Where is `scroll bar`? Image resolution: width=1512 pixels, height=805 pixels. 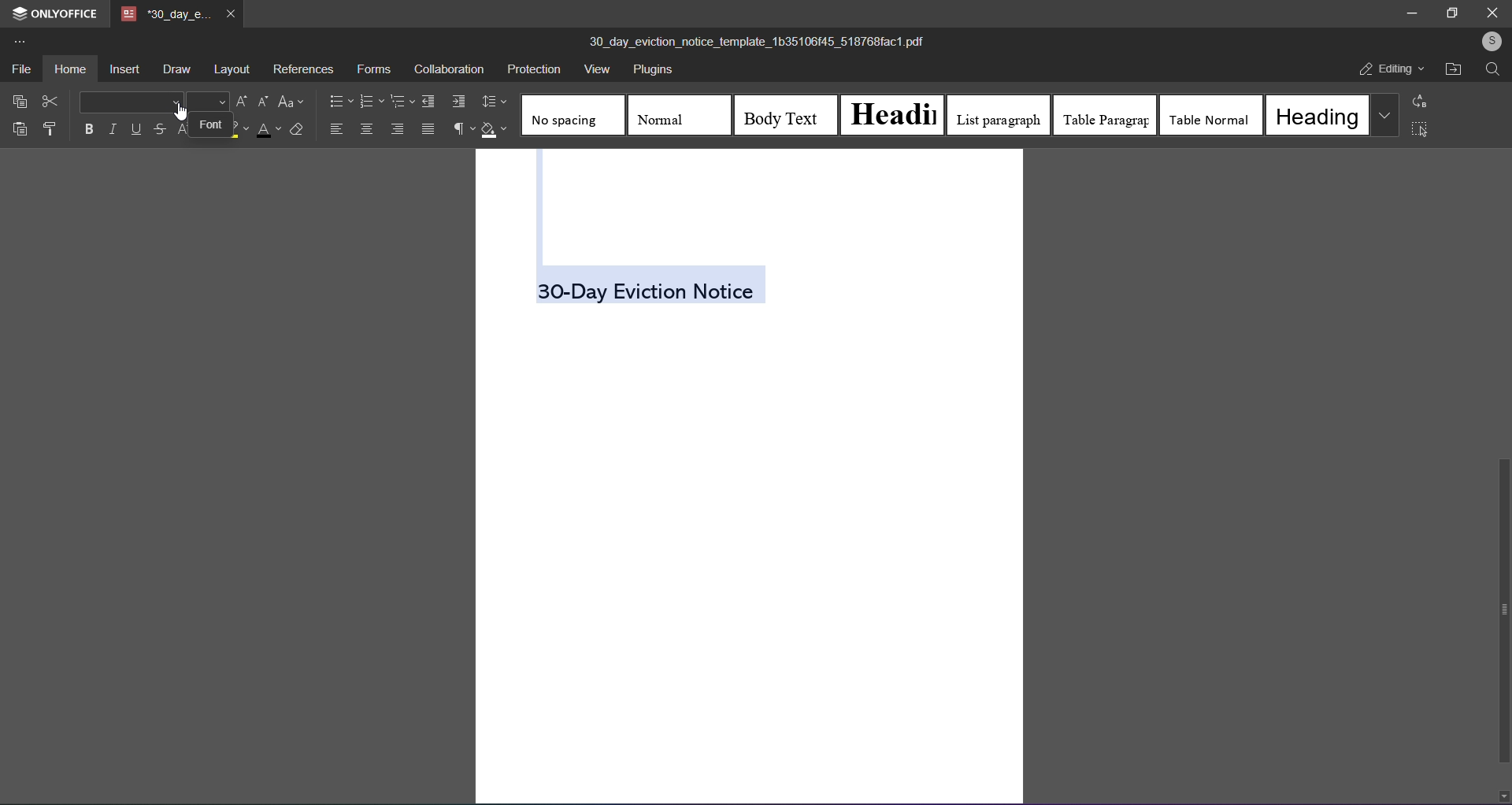 scroll bar is located at coordinates (1502, 611).